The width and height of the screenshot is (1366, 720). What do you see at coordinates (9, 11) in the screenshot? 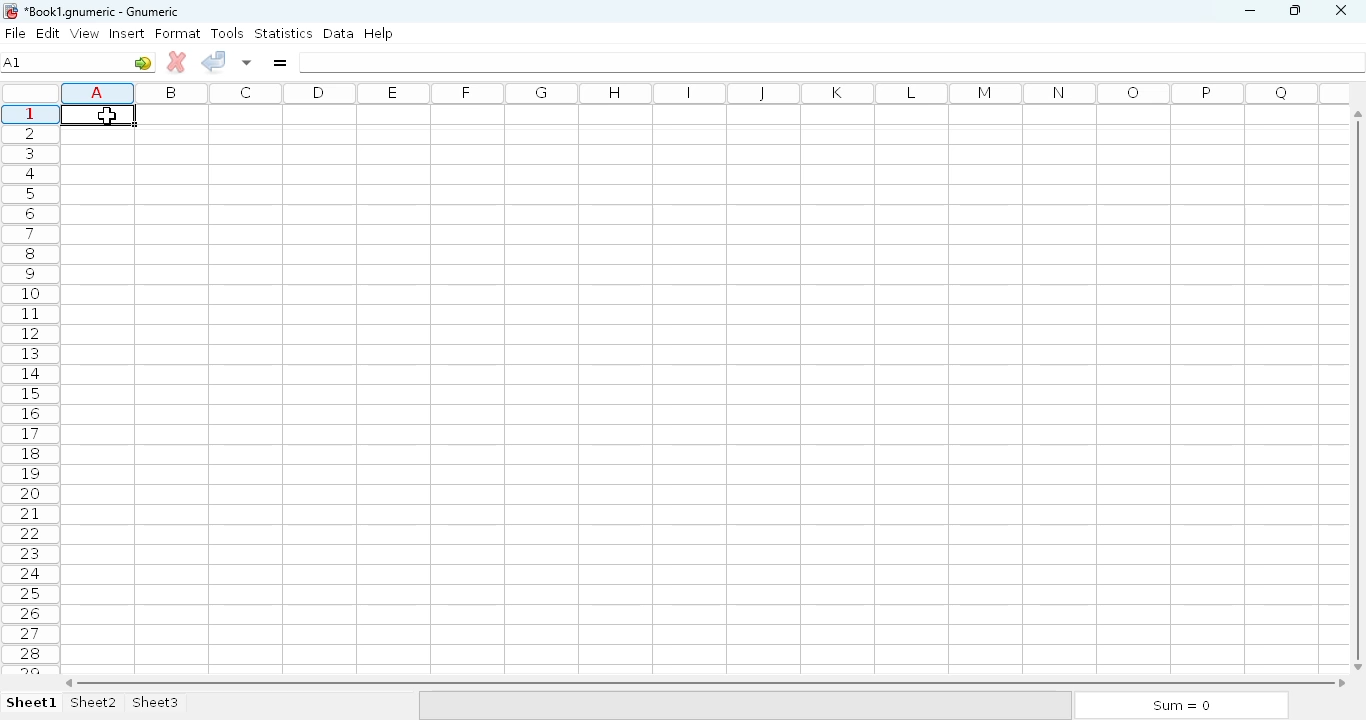
I see `logo` at bounding box center [9, 11].